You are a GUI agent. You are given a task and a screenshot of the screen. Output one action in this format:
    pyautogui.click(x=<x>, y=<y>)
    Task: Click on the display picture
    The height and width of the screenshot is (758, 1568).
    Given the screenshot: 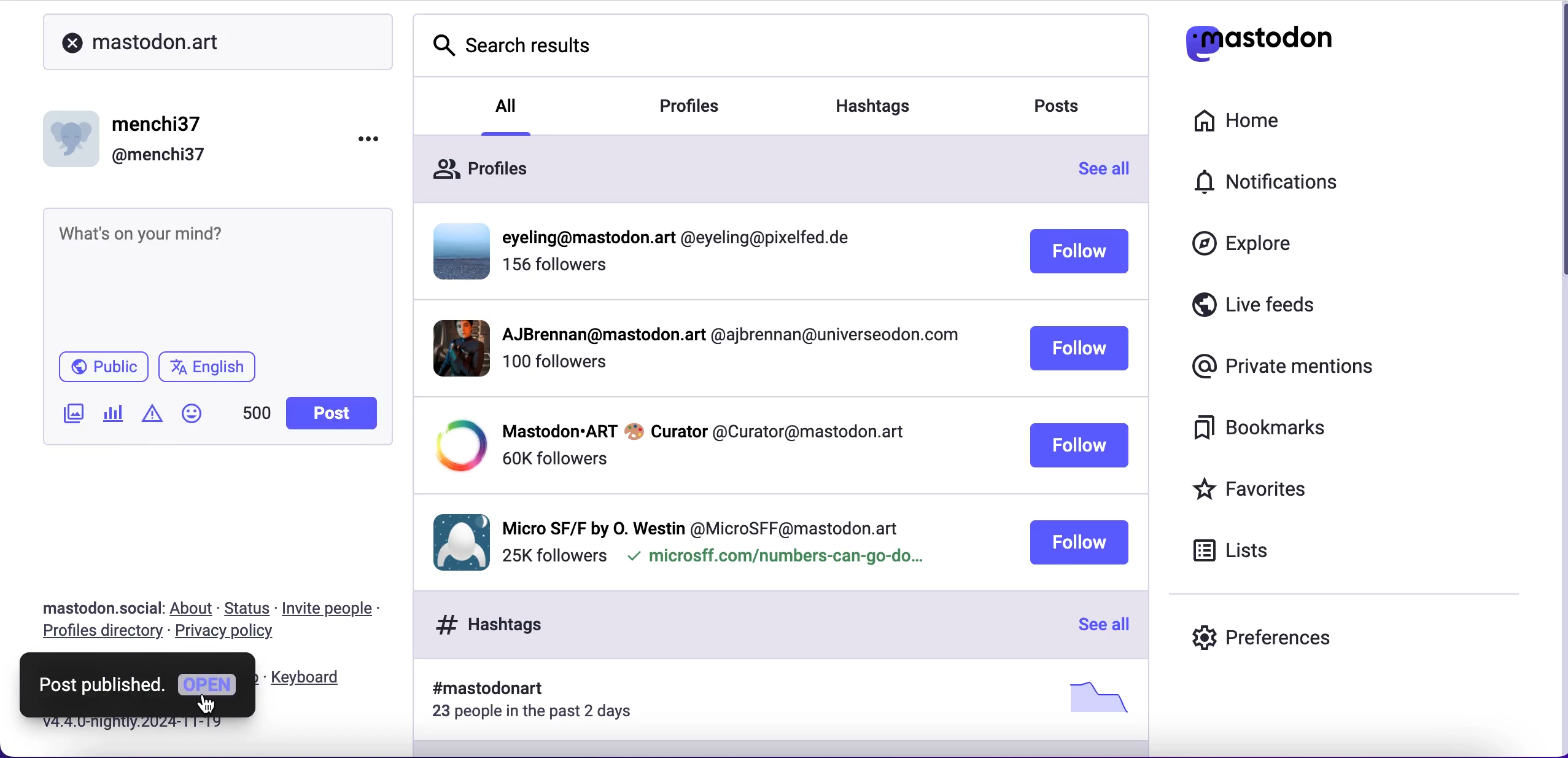 What is the action you would take?
    pyautogui.click(x=457, y=249)
    